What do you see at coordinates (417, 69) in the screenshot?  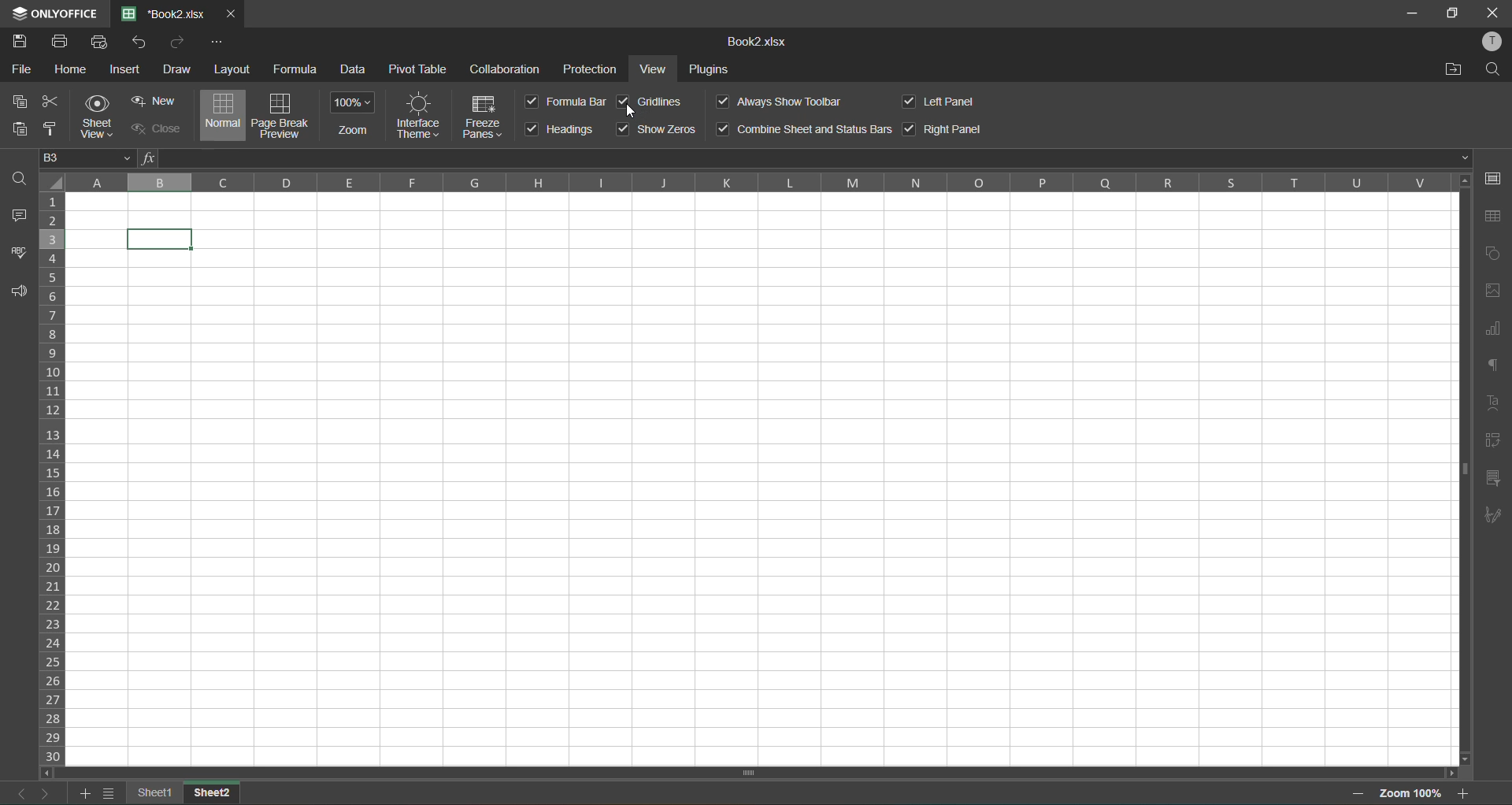 I see `pivot table` at bounding box center [417, 69].